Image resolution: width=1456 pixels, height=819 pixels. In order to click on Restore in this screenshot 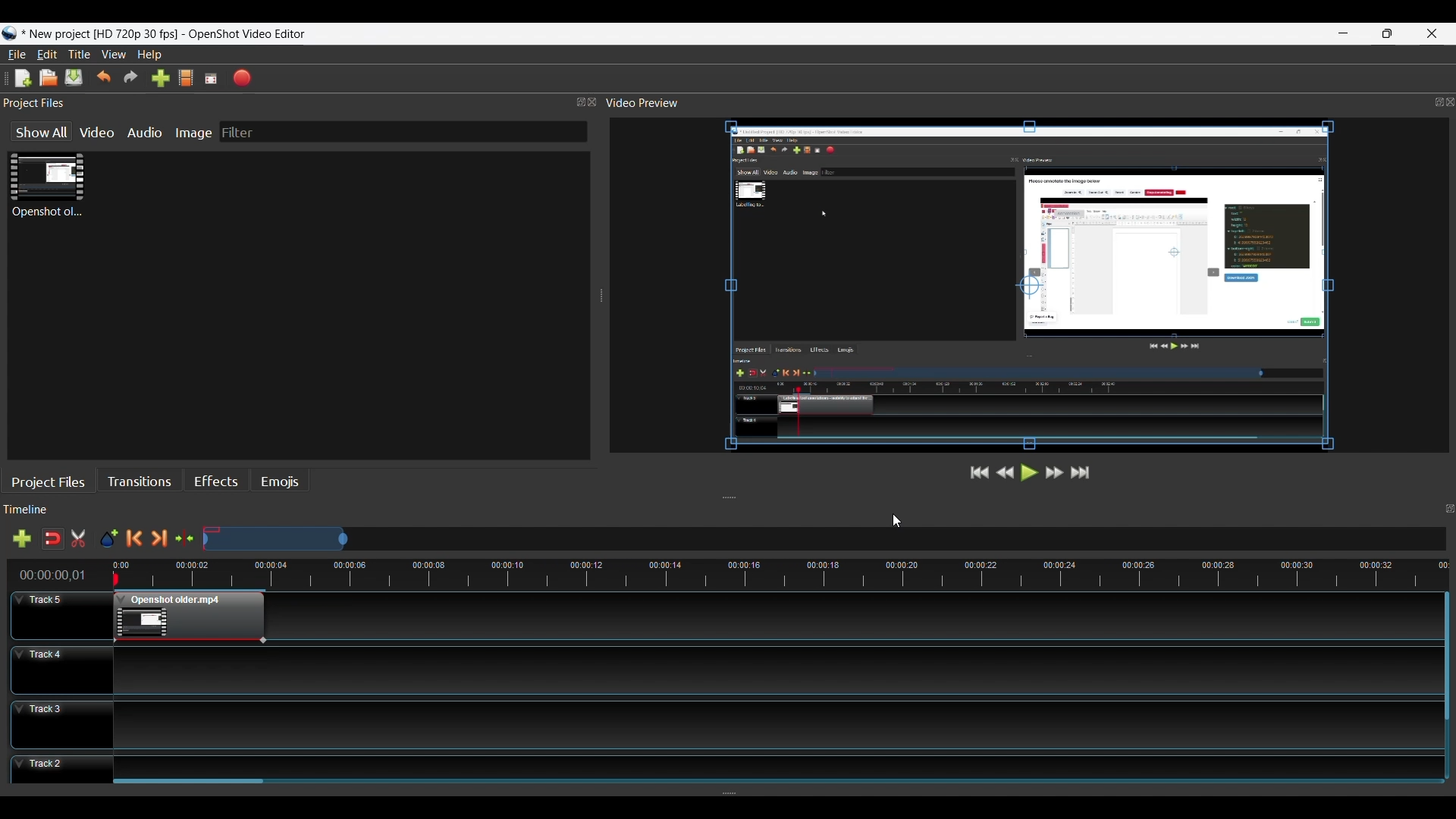, I will do `click(1389, 33)`.